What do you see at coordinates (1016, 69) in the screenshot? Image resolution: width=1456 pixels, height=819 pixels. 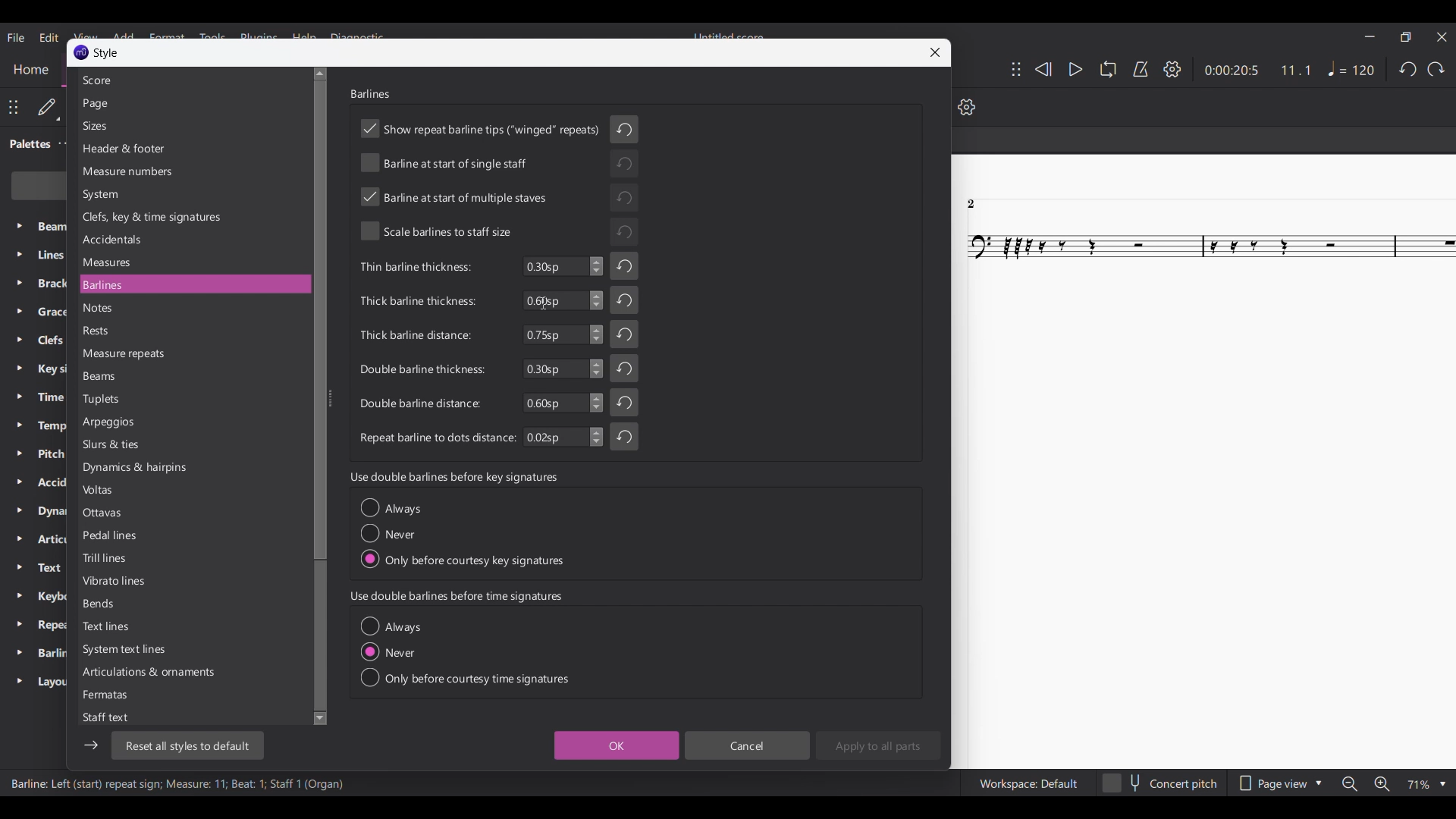 I see `Change position of toolbar` at bounding box center [1016, 69].